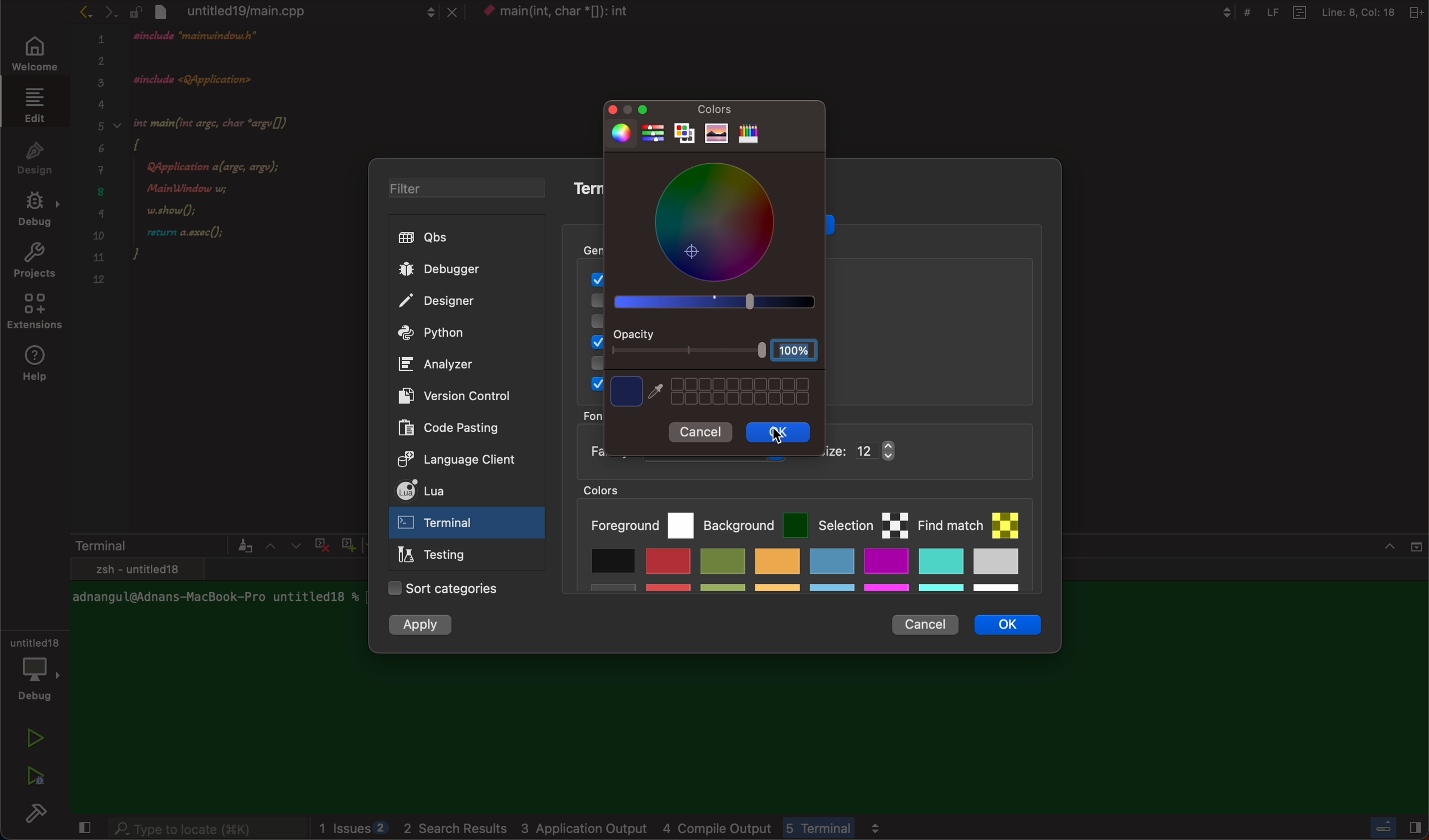 Image resolution: width=1429 pixels, height=840 pixels. Describe the element at coordinates (576, 13) in the screenshot. I see `` at that location.